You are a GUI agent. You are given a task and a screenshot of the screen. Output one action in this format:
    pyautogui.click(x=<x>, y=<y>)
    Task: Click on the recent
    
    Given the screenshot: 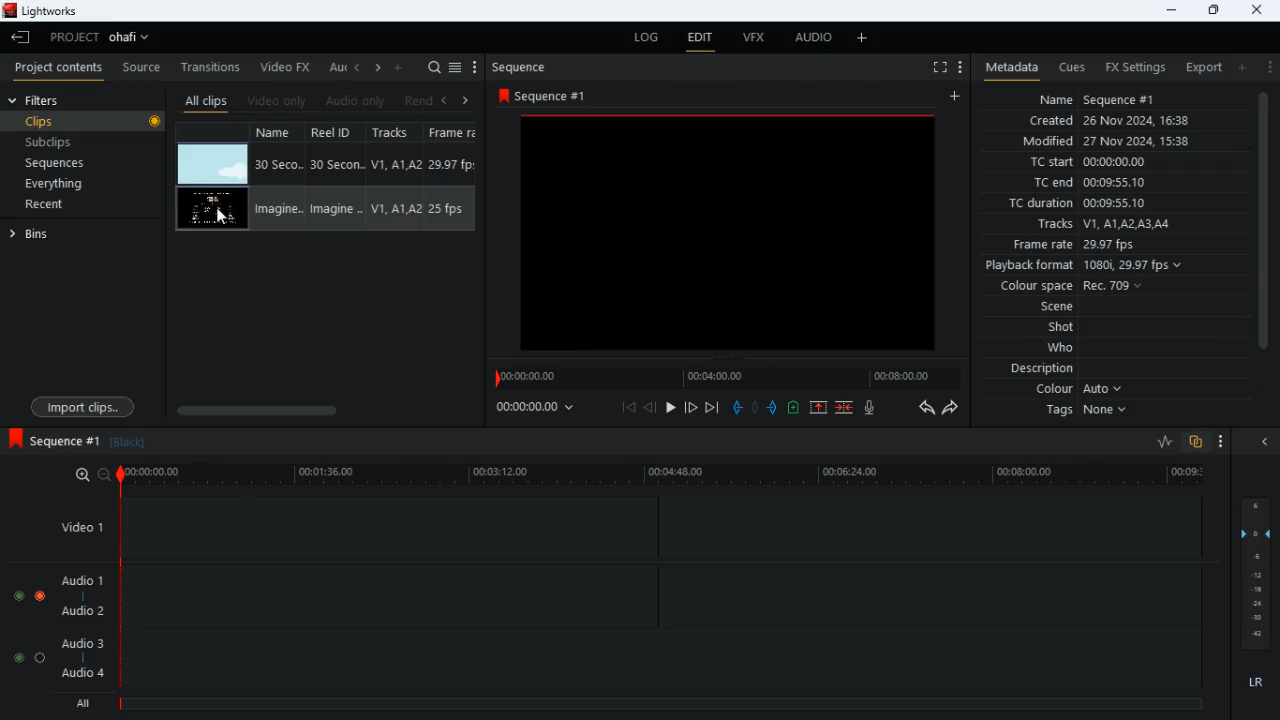 What is the action you would take?
    pyautogui.click(x=63, y=206)
    